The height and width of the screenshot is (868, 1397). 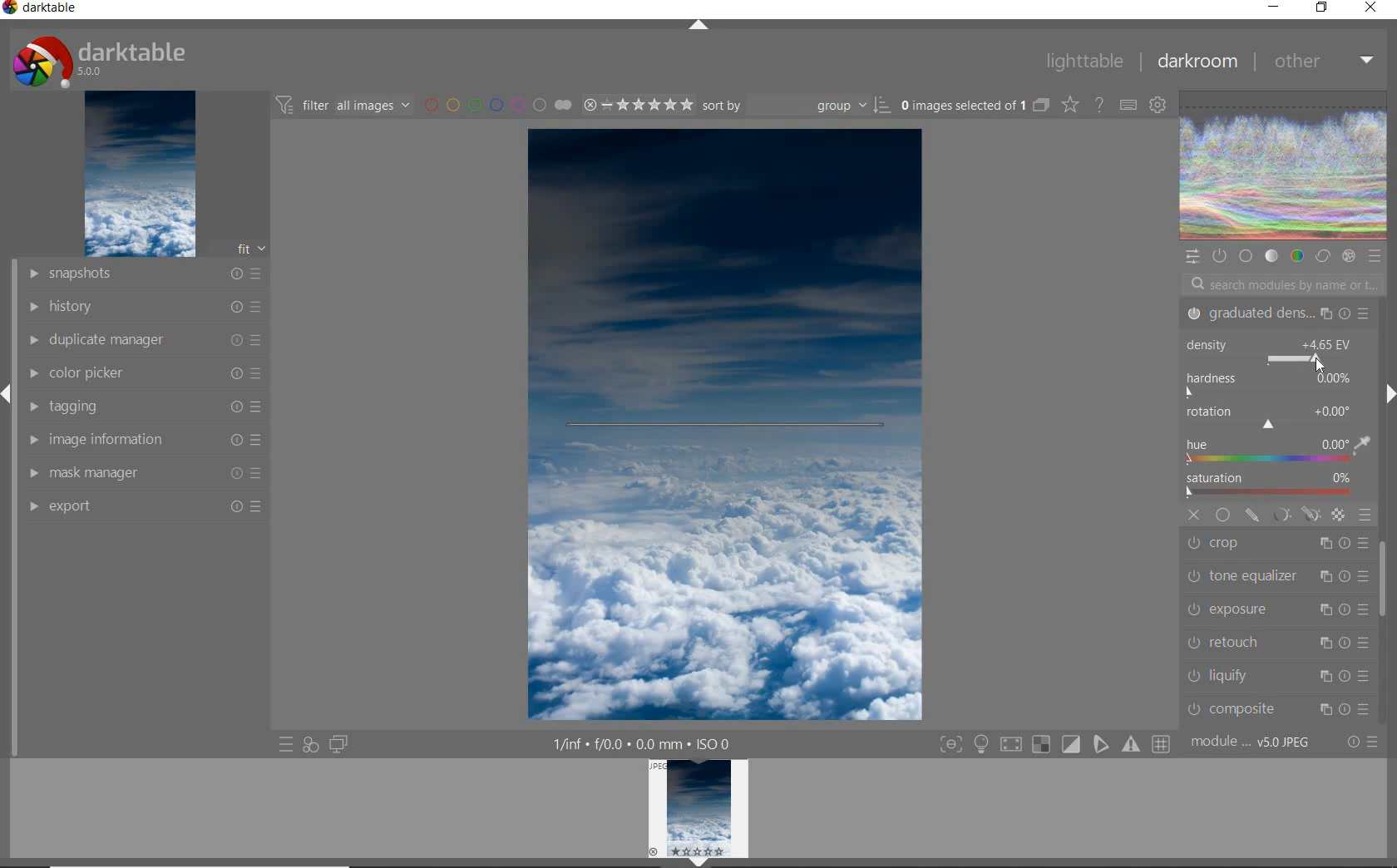 I want to click on RESET OR PRESET & PREFERENCE, so click(x=1361, y=741).